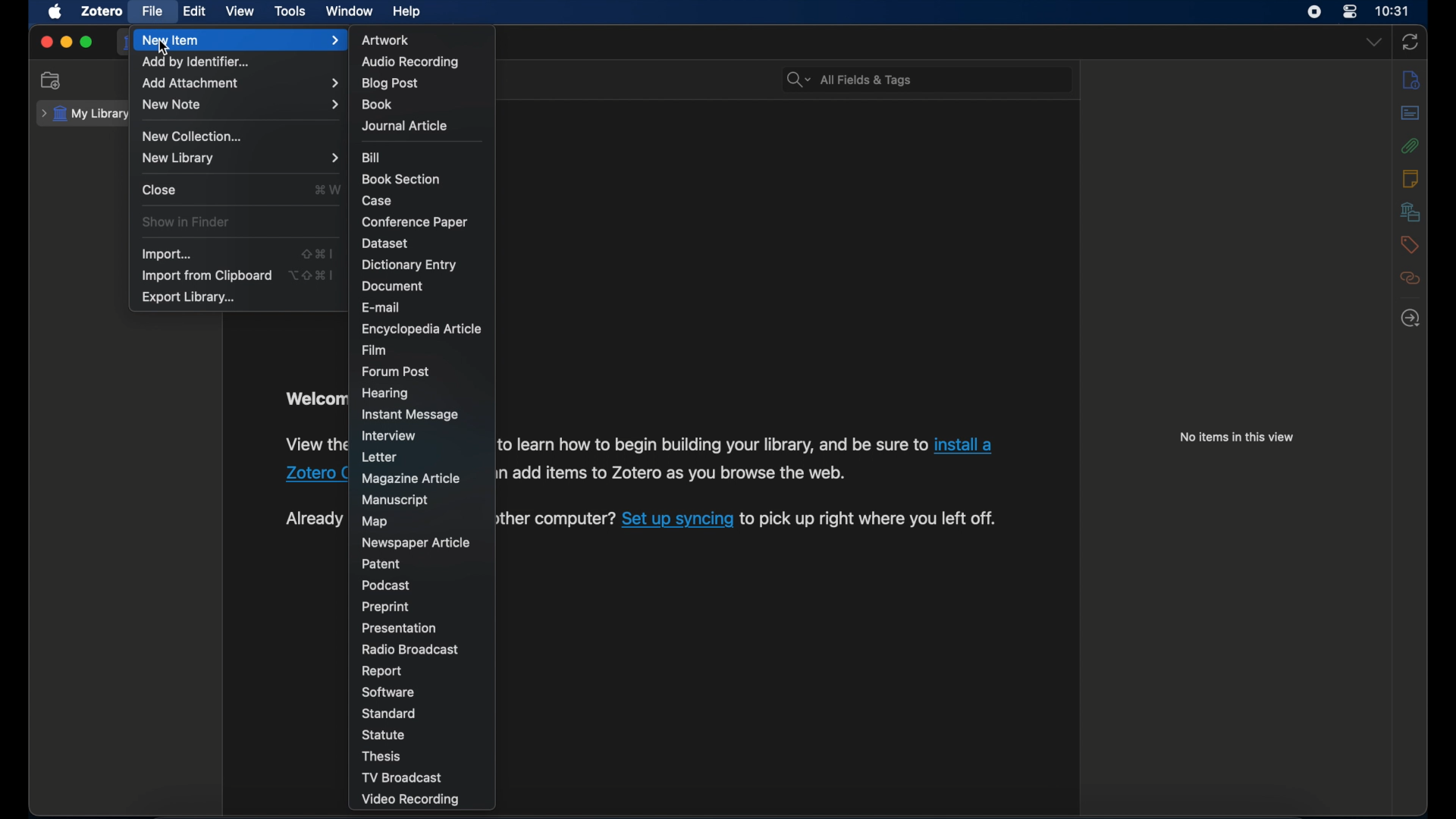 The height and width of the screenshot is (819, 1456). Describe the element at coordinates (240, 40) in the screenshot. I see `new item` at that location.